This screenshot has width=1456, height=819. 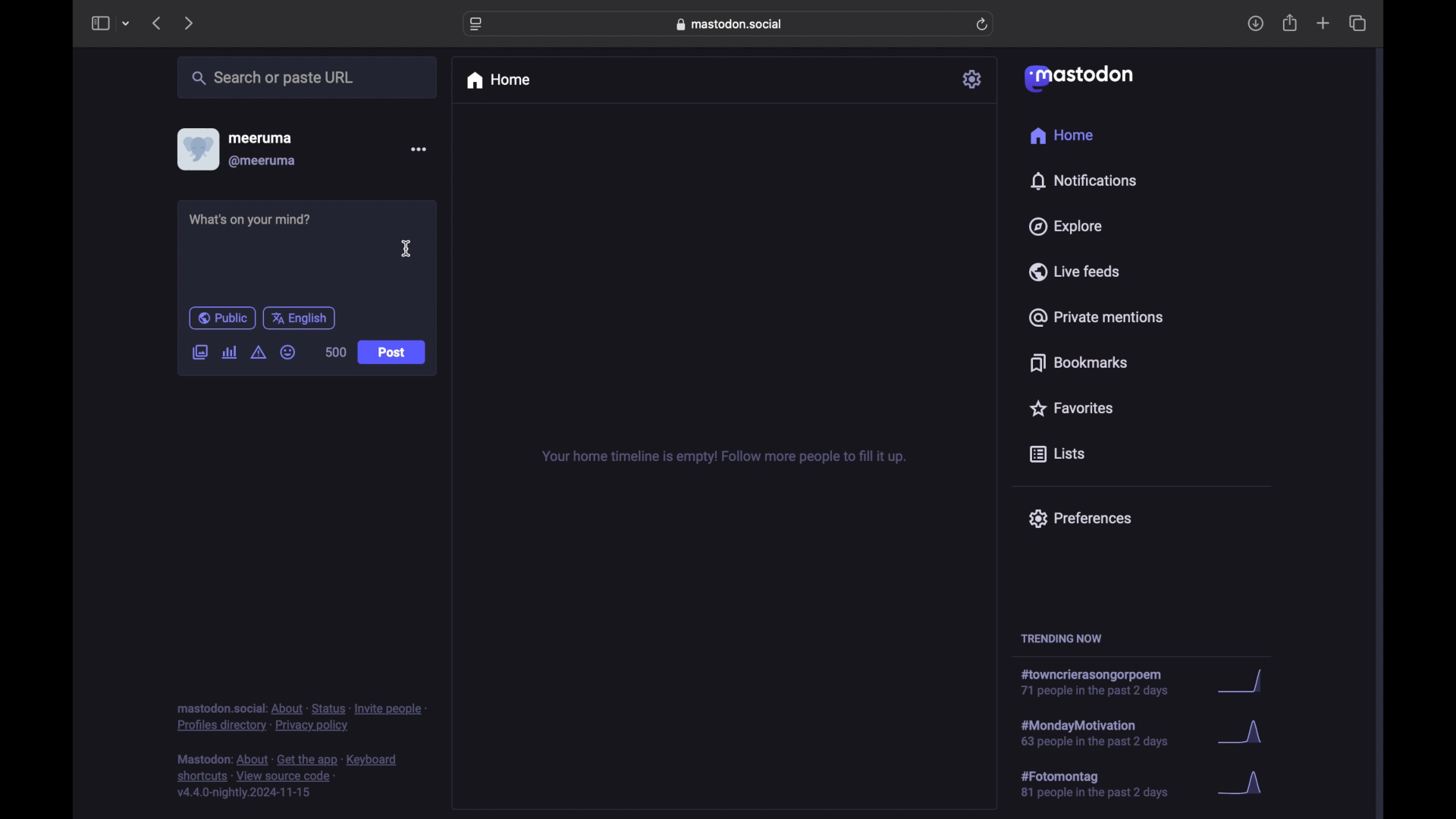 I want to click on meeruma, so click(x=260, y=138).